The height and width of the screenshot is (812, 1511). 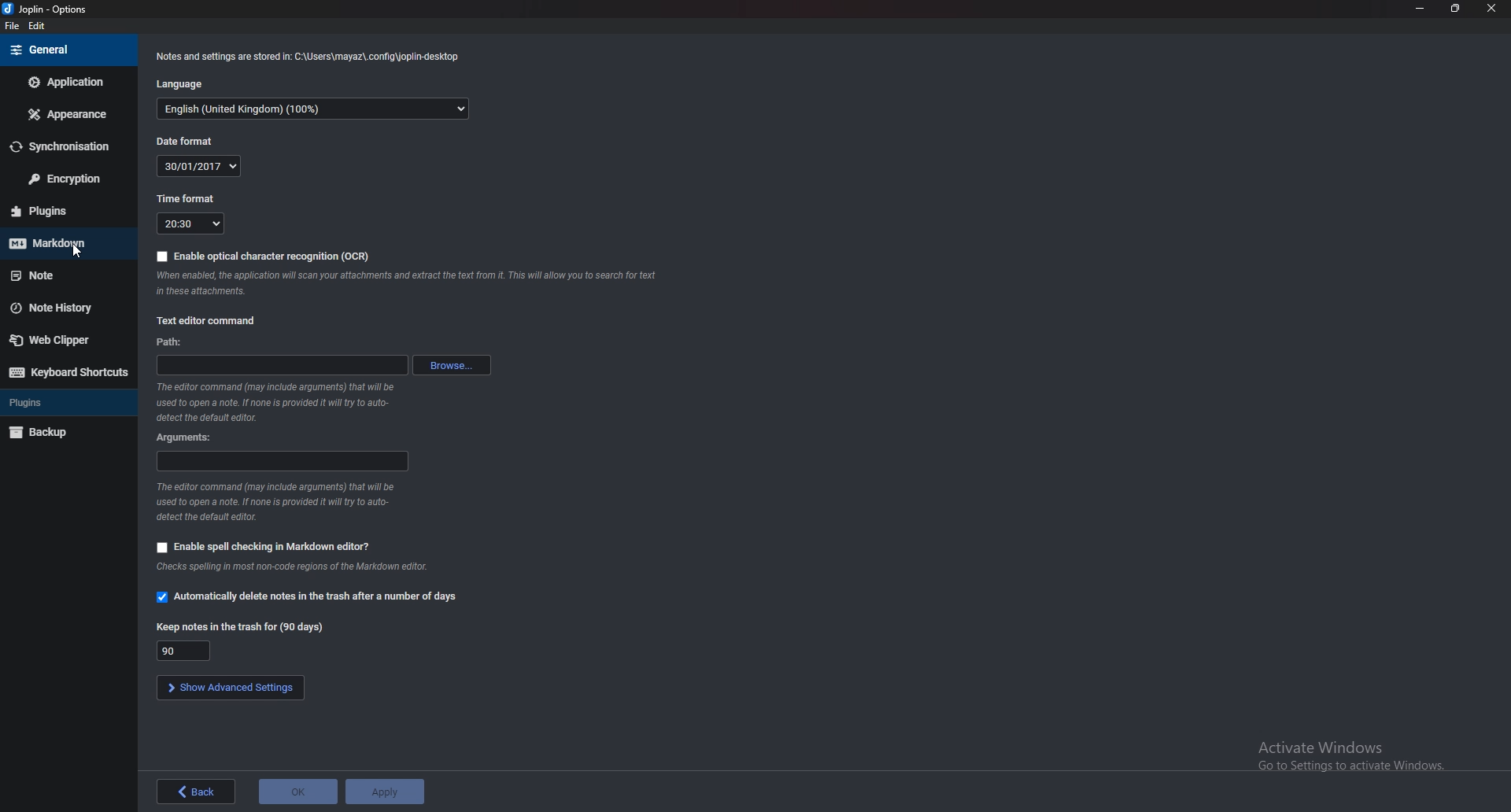 What do you see at coordinates (14, 24) in the screenshot?
I see `file` at bounding box center [14, 24].